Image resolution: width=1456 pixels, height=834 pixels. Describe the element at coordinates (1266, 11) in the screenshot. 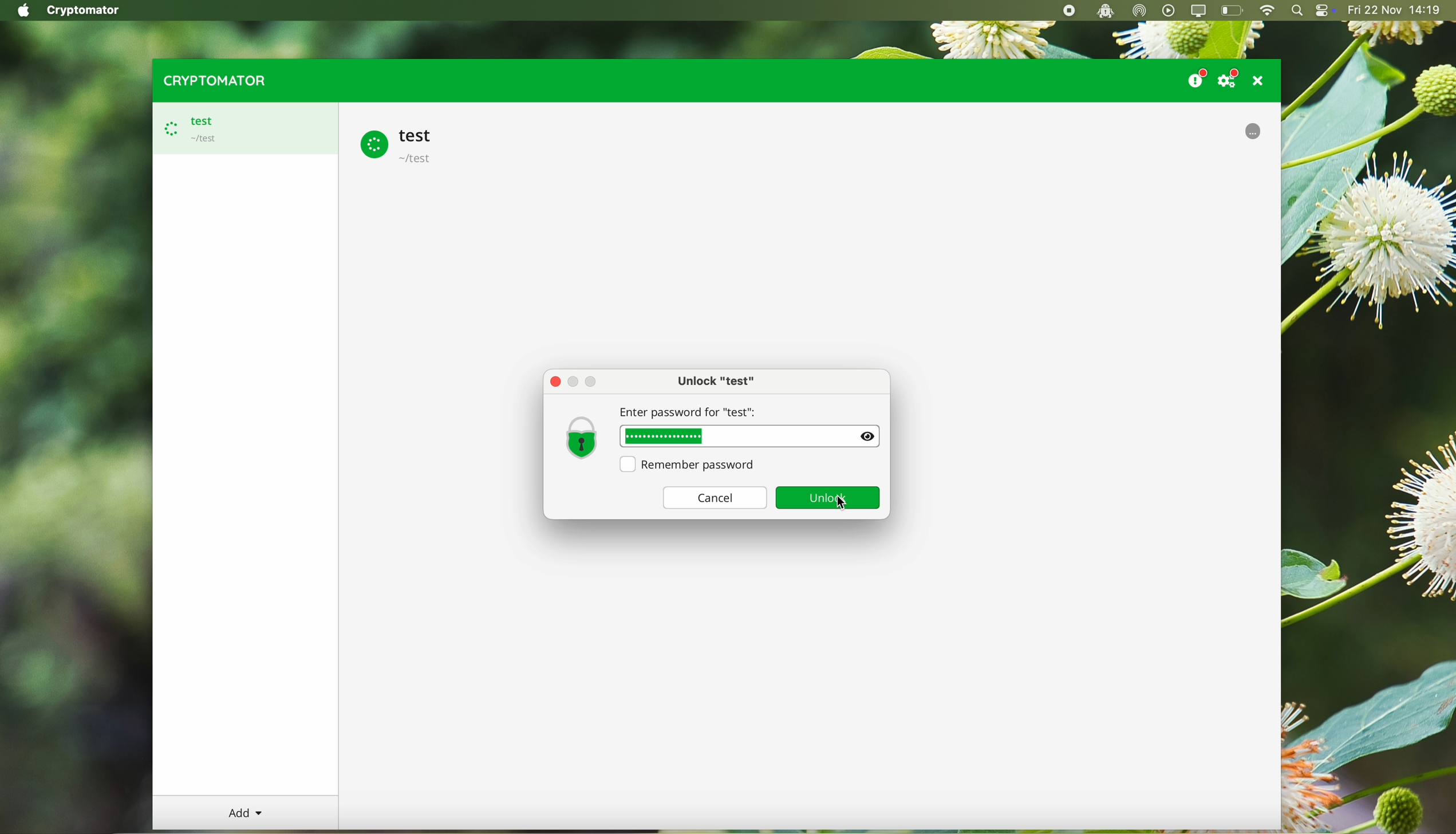

I see `wifi` at that location.